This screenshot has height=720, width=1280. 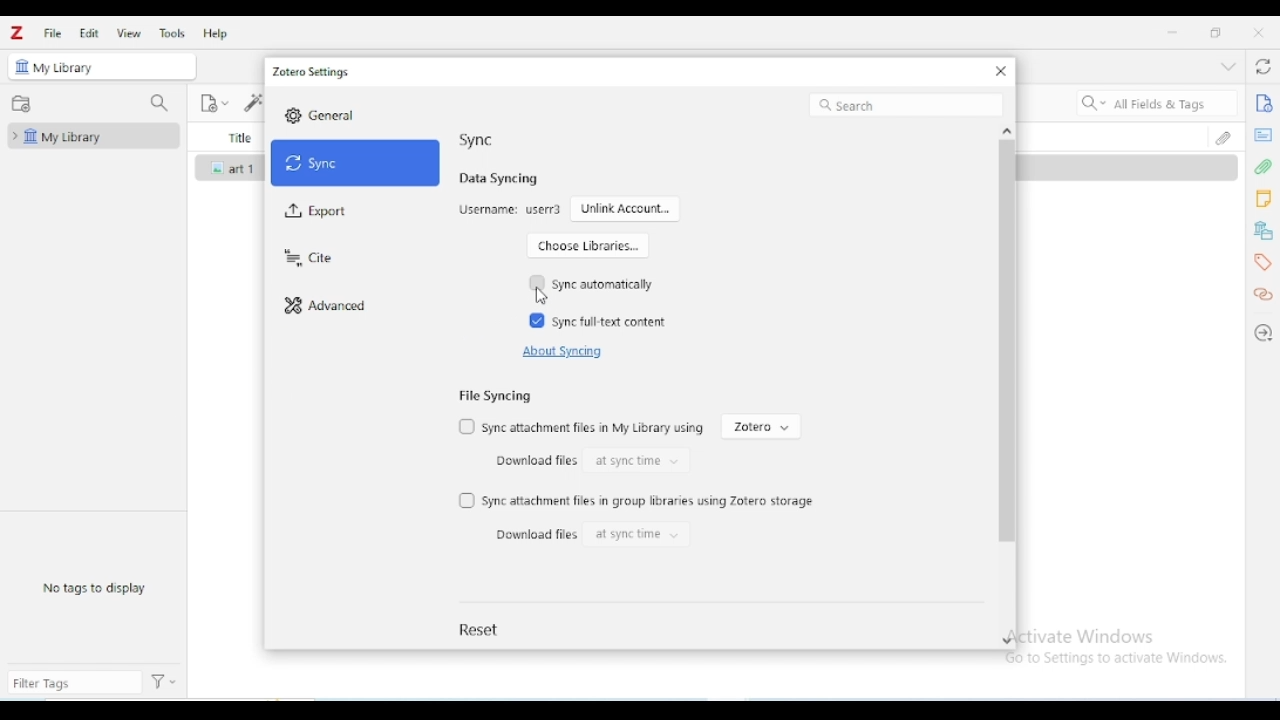 What do you see at coordinates (1263, 231) in the screenshot?
I see `libraries and collections` at bounding box center [1263, 231].